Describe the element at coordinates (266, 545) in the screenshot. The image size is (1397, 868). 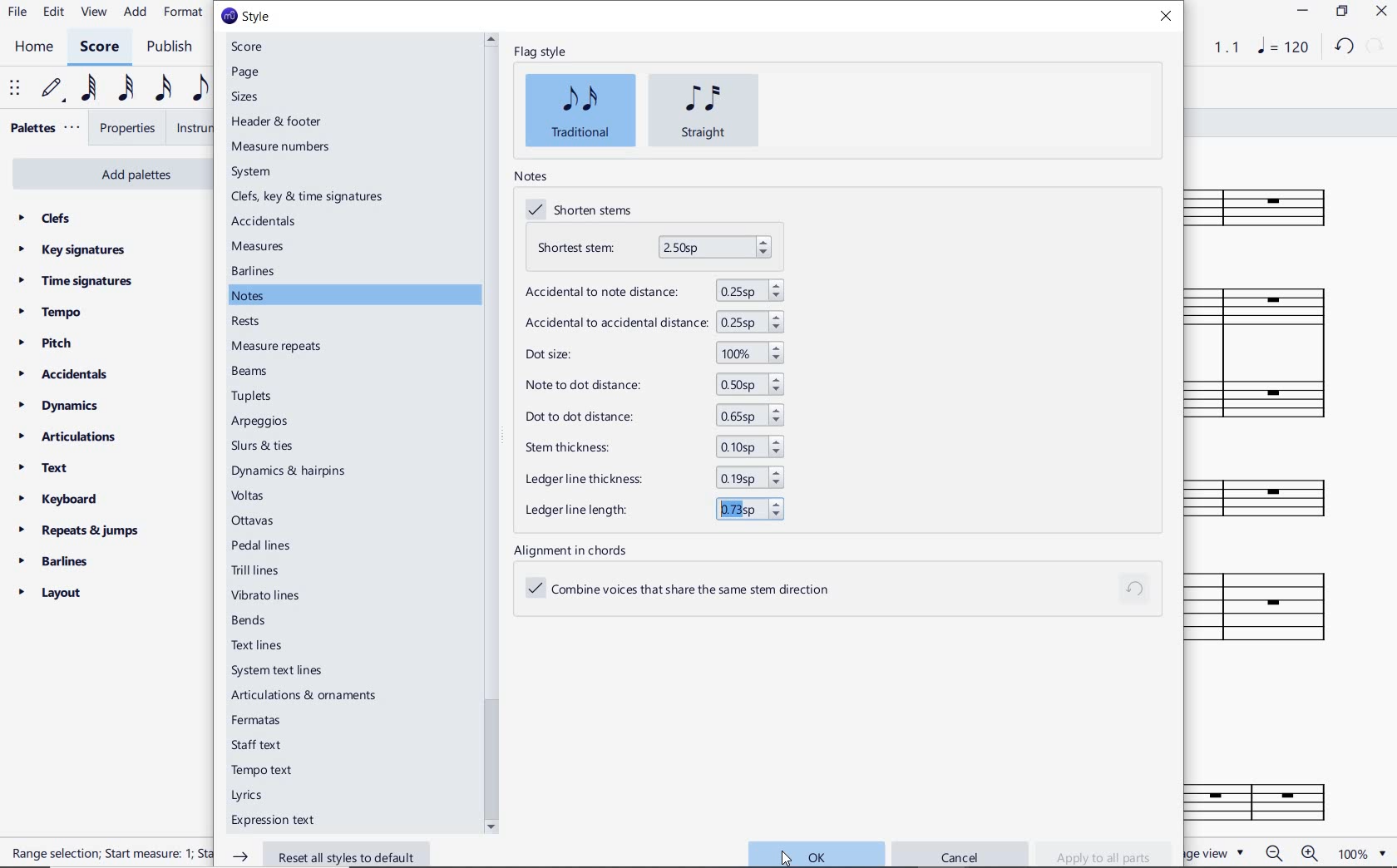
I see `pedal lines` at that location.